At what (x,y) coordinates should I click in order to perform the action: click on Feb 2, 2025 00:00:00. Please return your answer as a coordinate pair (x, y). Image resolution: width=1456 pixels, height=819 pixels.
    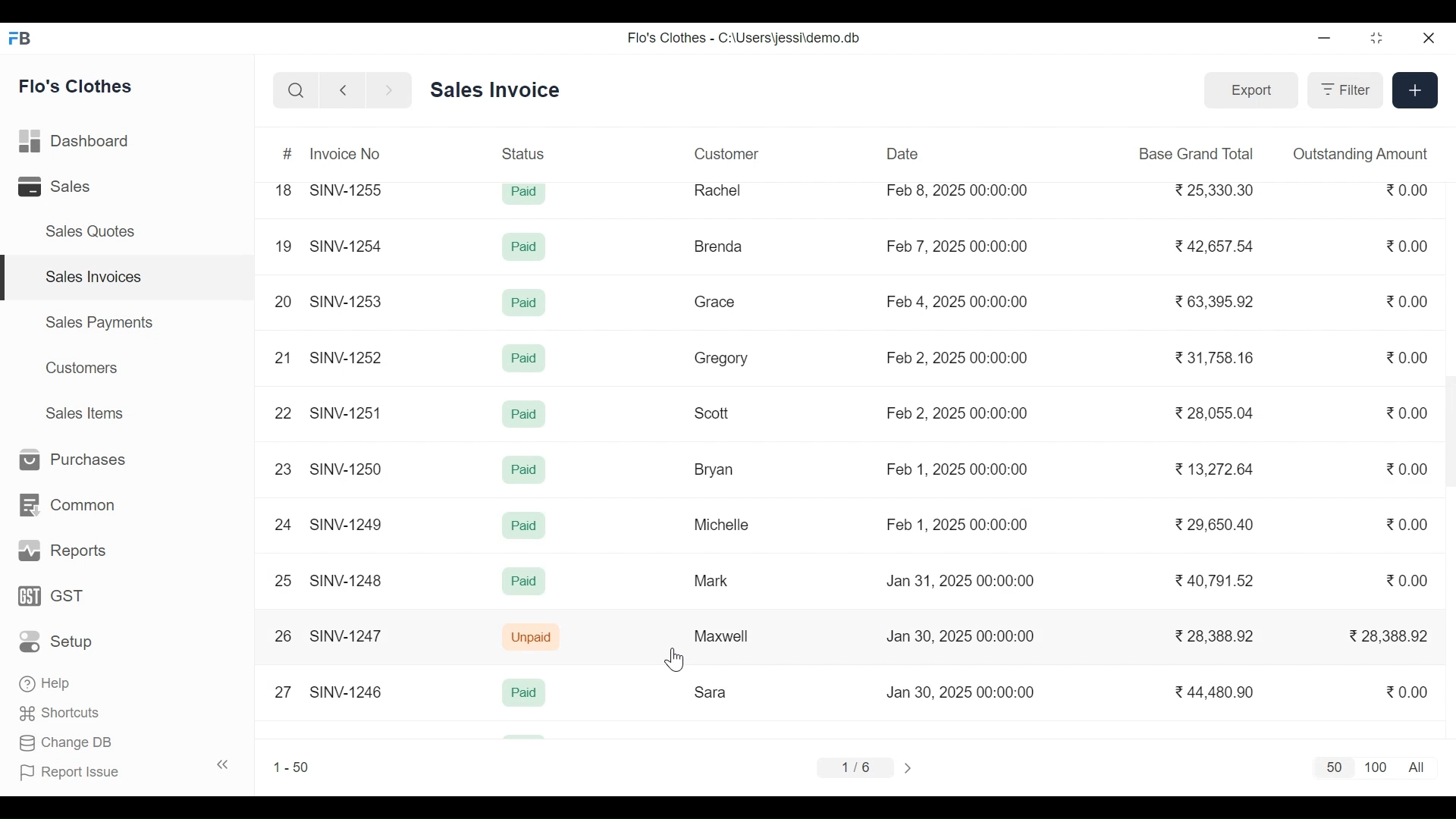
    Looking at the image, I should click on (956, 413).